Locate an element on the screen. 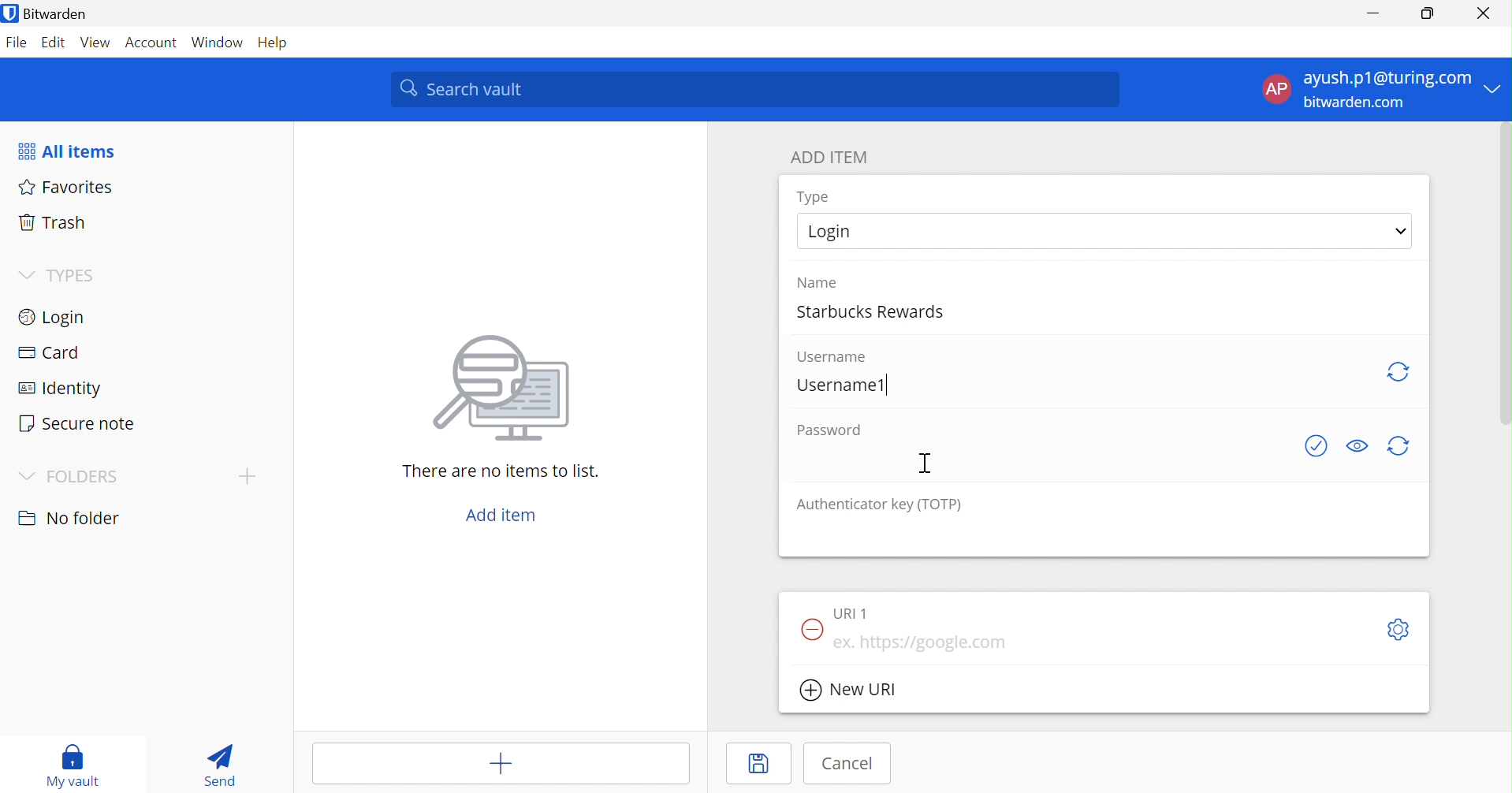  ayush.p1@turing.com is located at coordinates (1387, 77).